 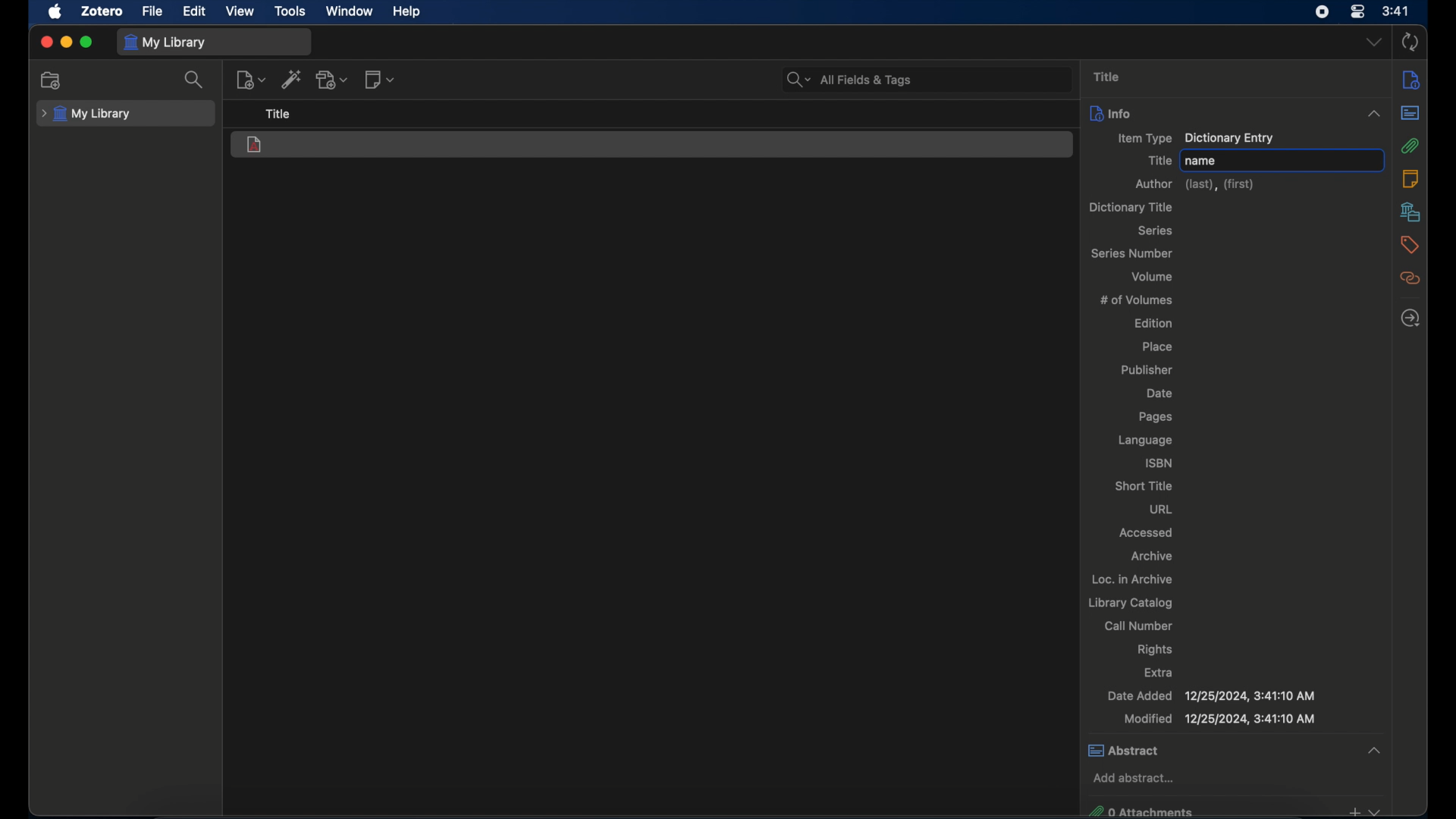 What do you see at coordinates (250, 79) in the screenshot?
I see `new item` at bounding box center [250, 79].